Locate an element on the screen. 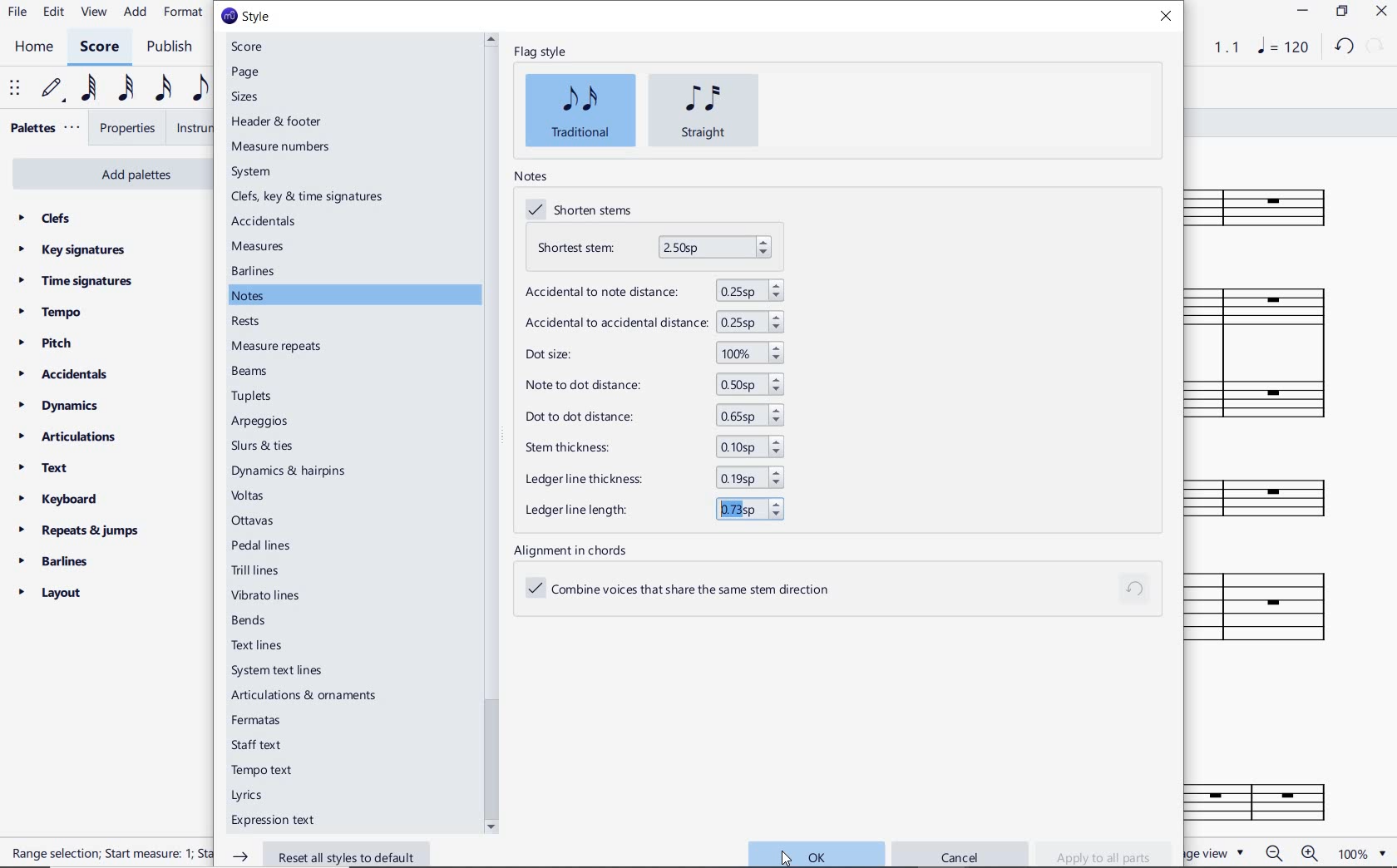 The height and width of the screenshot is (868, 1397). publish is located at coordinates (173, 47).